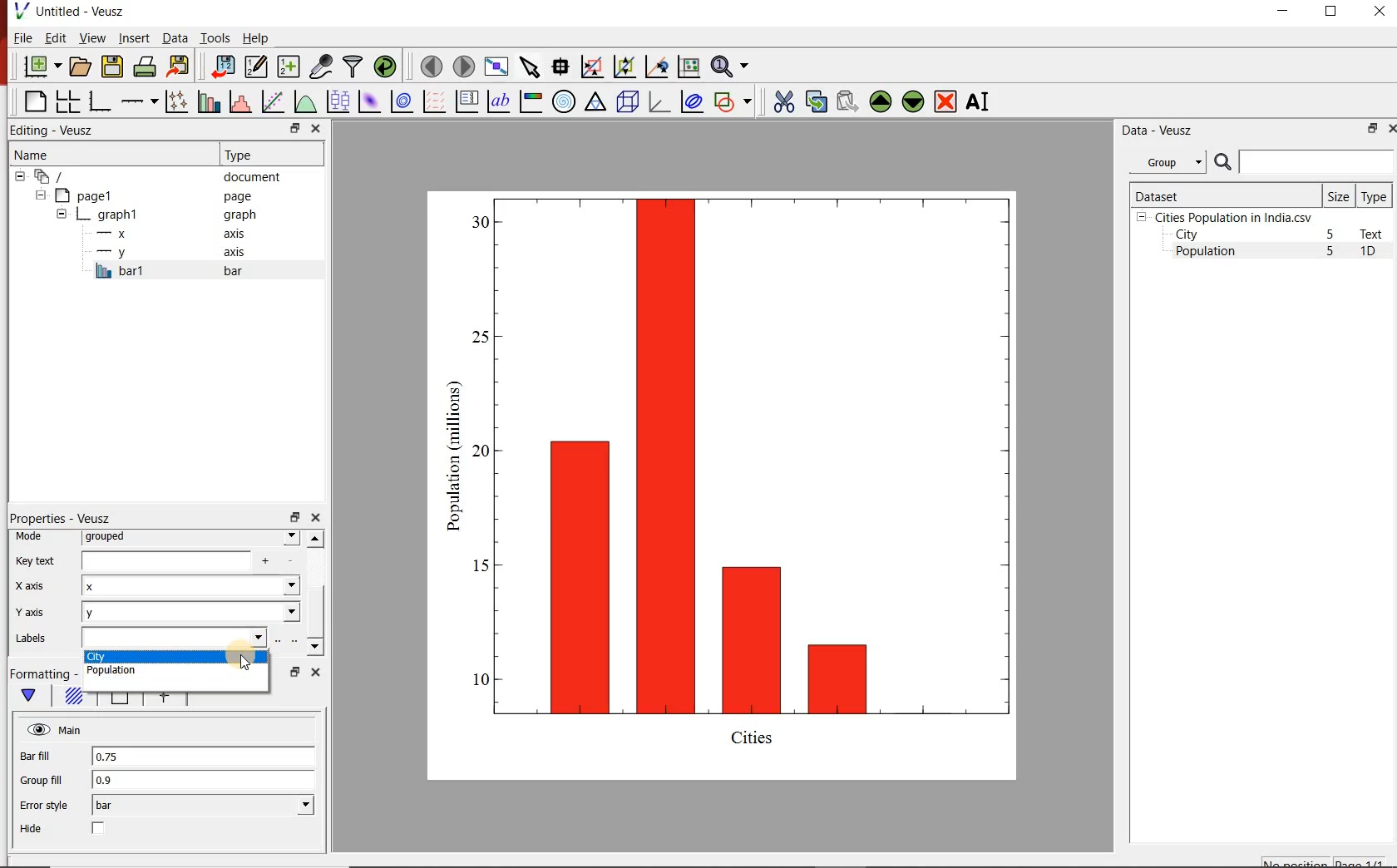 This screenshot has width=1397, height=868. I want to click on move to the previous page, so click(429, 65).